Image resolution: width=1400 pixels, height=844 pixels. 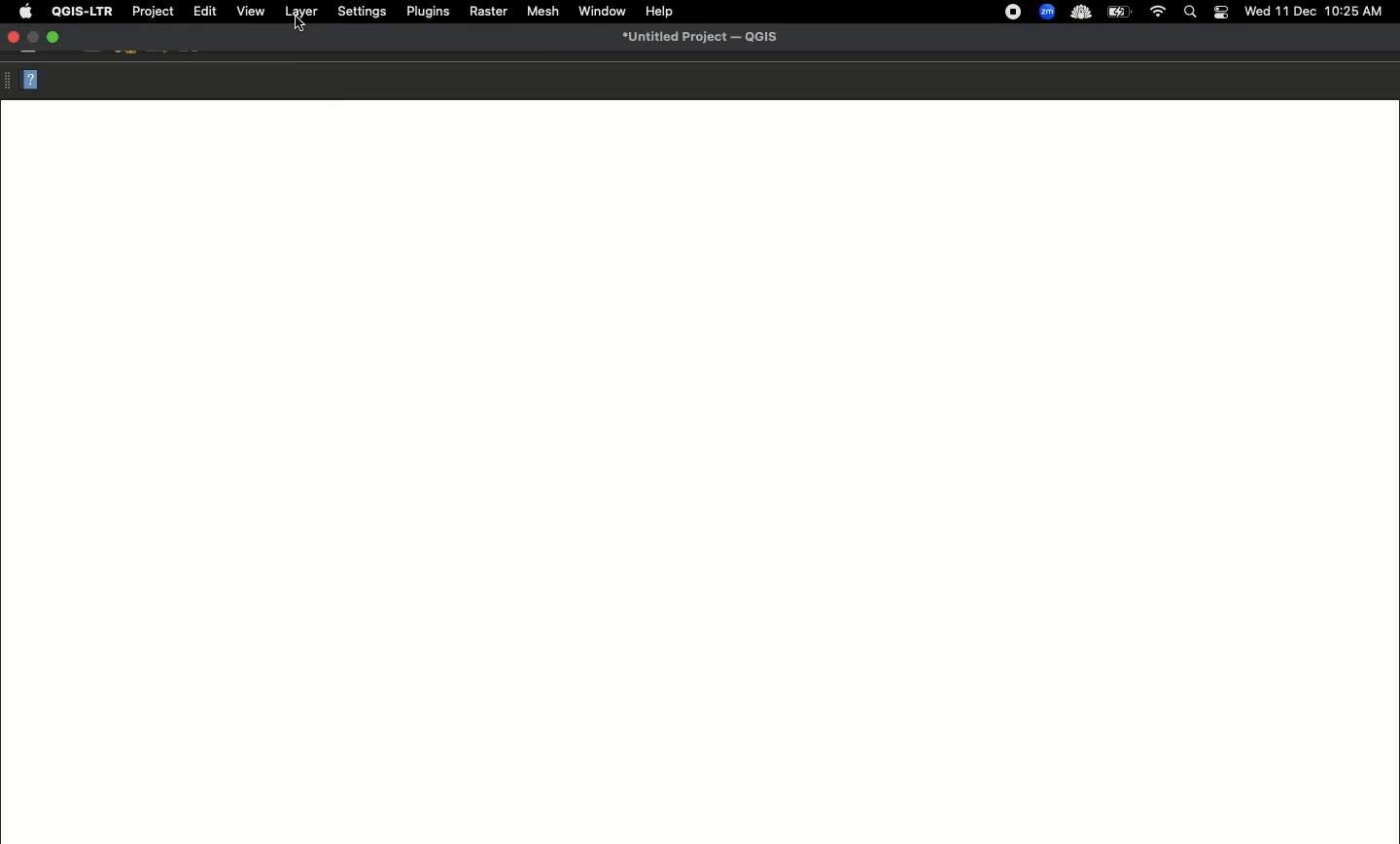 I want to click on Help, so click(x=30, y=79).